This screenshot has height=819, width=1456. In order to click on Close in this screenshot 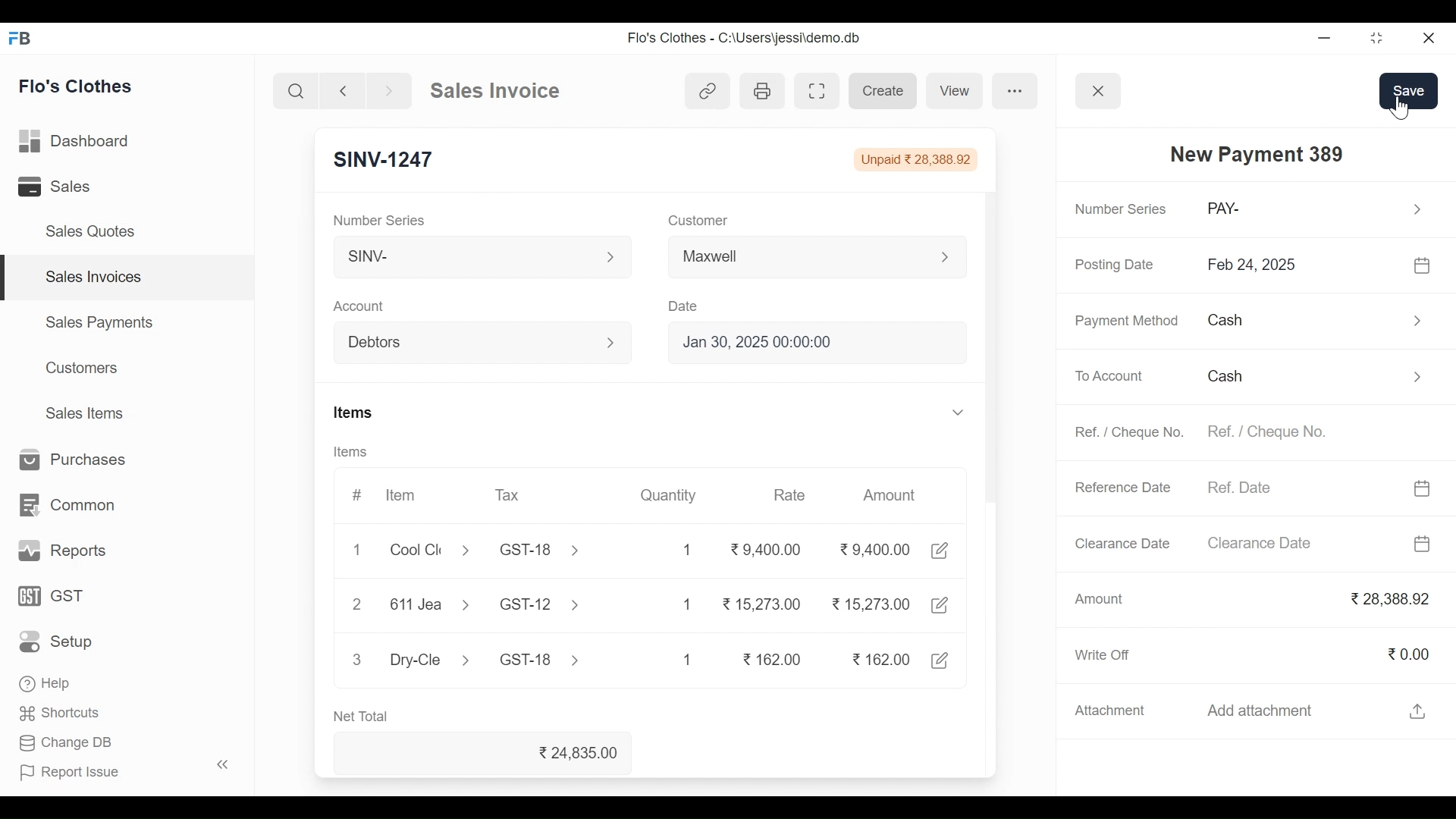, I will do `click(1426, 39)`.